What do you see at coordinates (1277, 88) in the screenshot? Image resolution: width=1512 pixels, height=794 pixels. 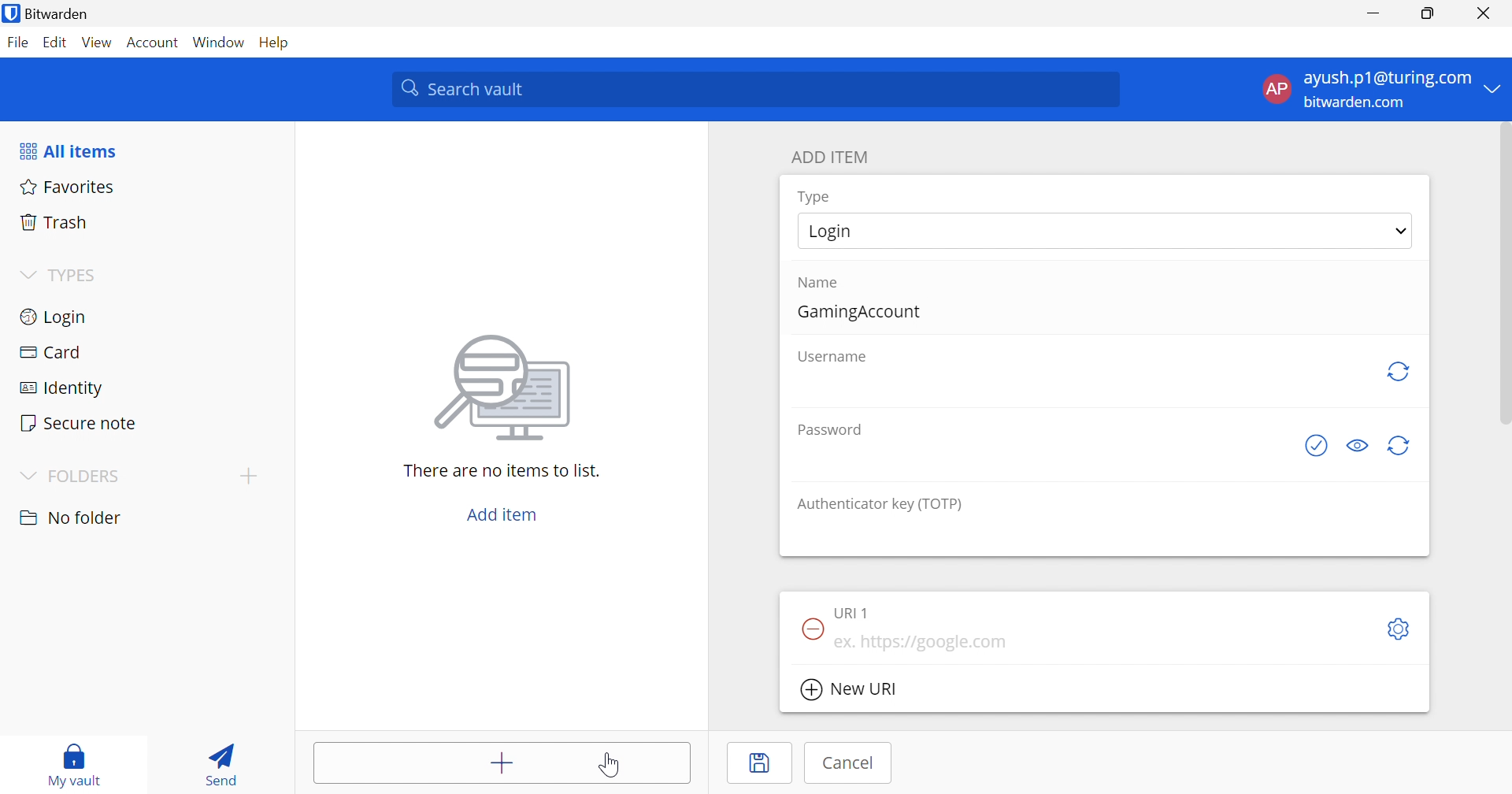 I see `AP` at bounding box center [1277, 88].